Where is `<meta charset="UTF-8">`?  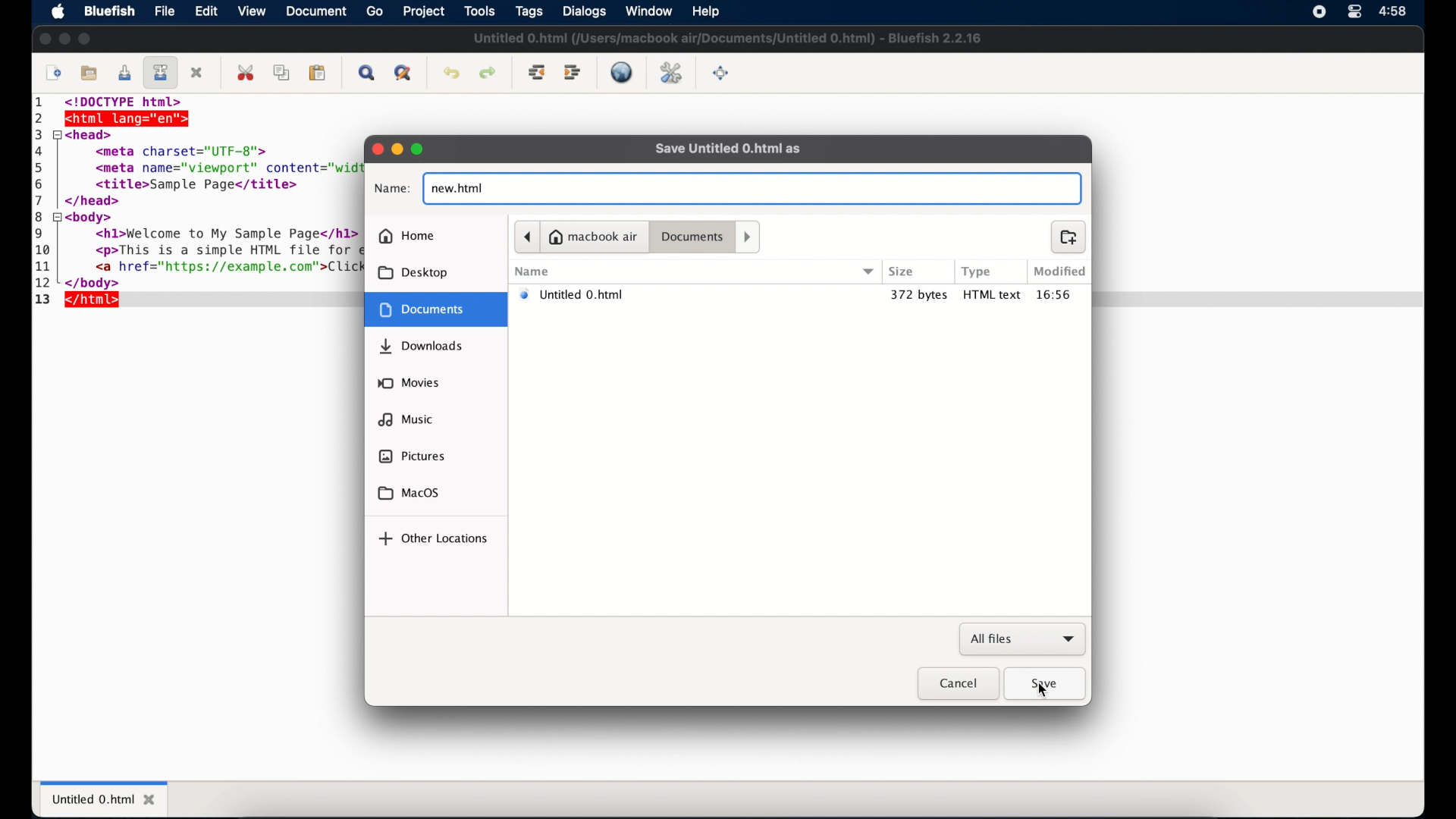 <meta charset="UTF-8"> is located at coordinates (191, 151).